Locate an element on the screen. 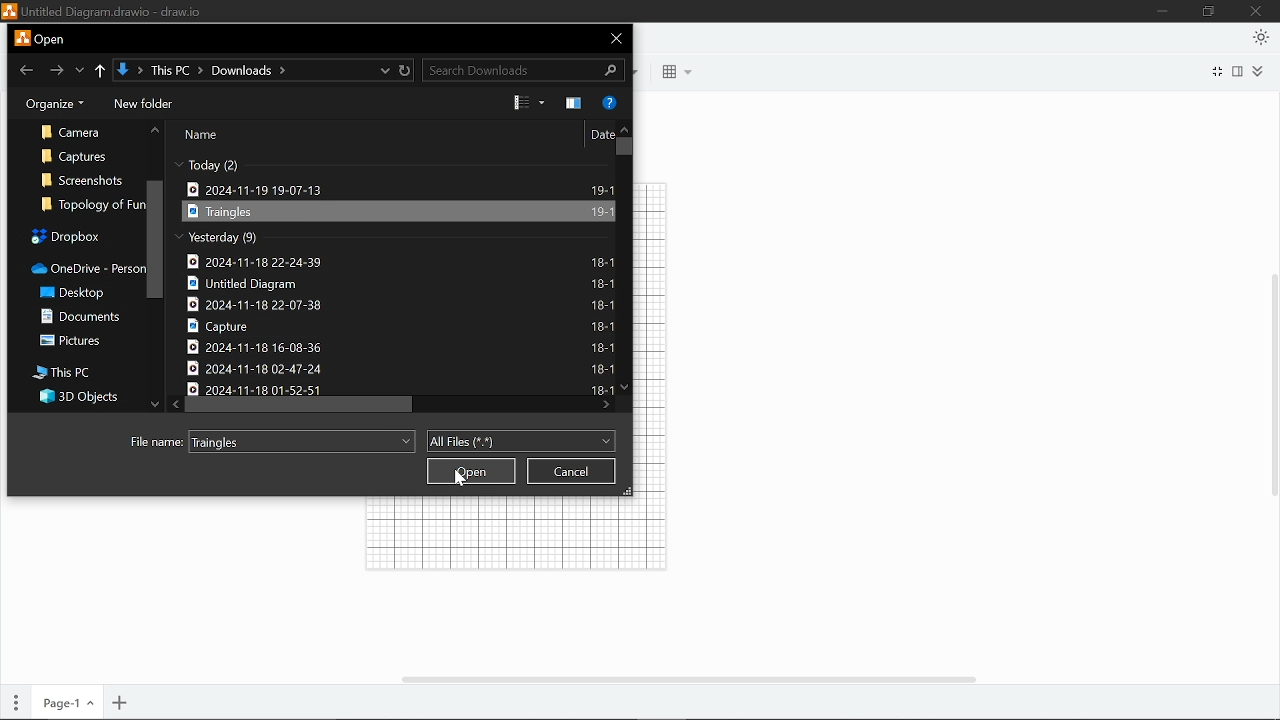 Image resolution: width=1280 pixels, height=720 pixels. Move right in files is located at coordinates (606, 405).